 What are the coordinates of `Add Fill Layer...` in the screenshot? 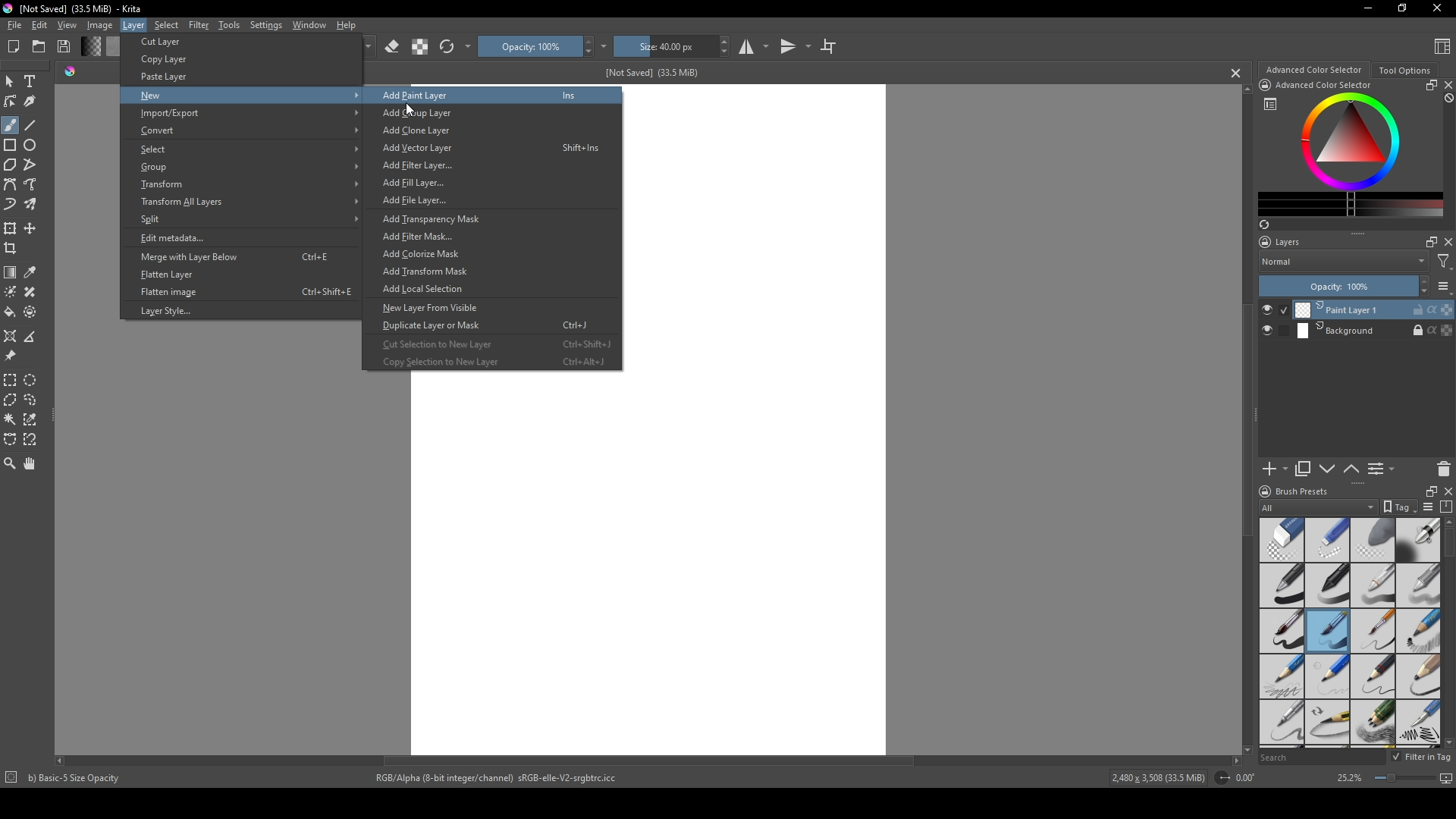 It's located at (418, 183).